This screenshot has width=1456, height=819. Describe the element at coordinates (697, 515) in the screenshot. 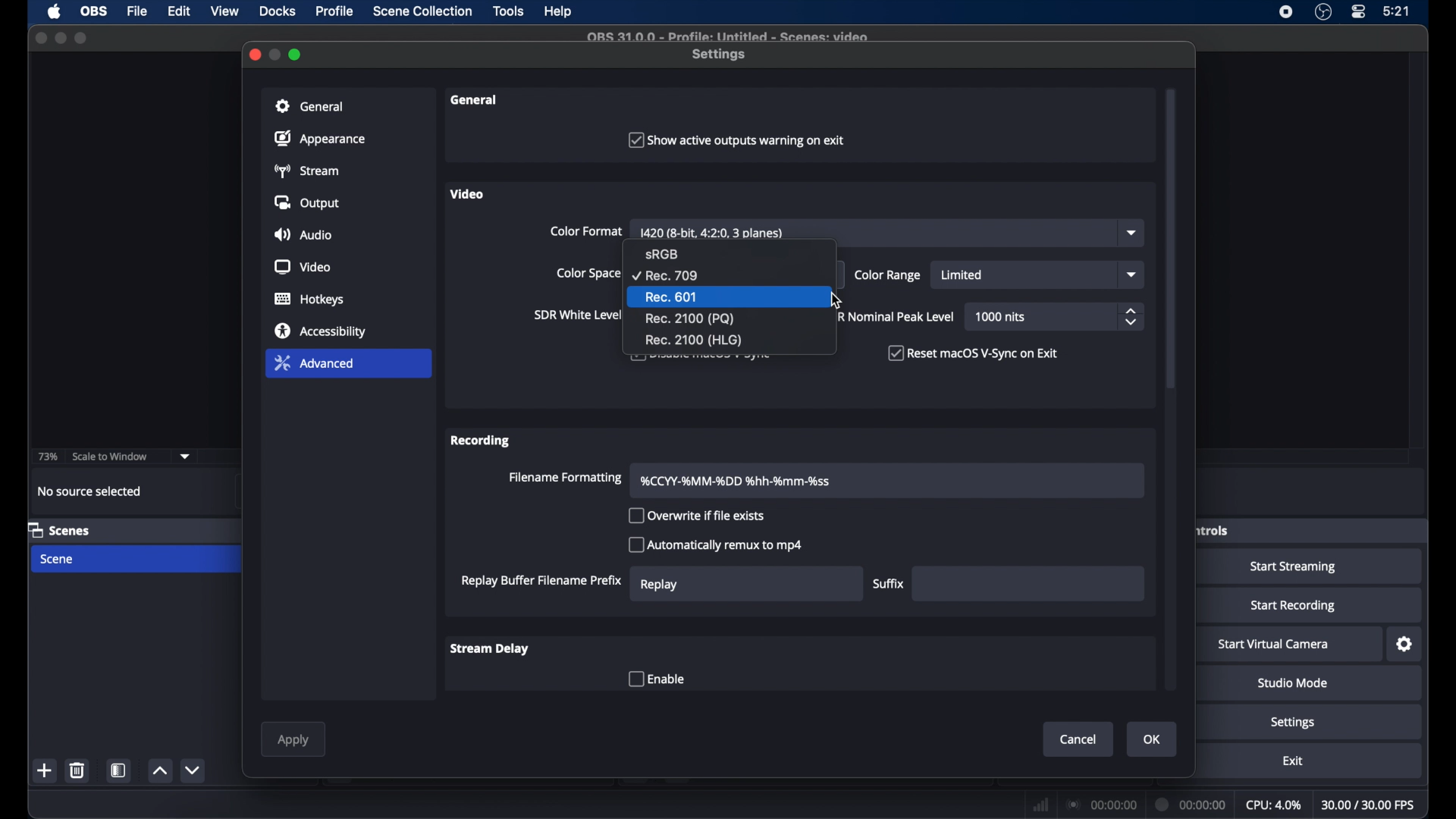

I see `overwrite if the file exists` at that location.